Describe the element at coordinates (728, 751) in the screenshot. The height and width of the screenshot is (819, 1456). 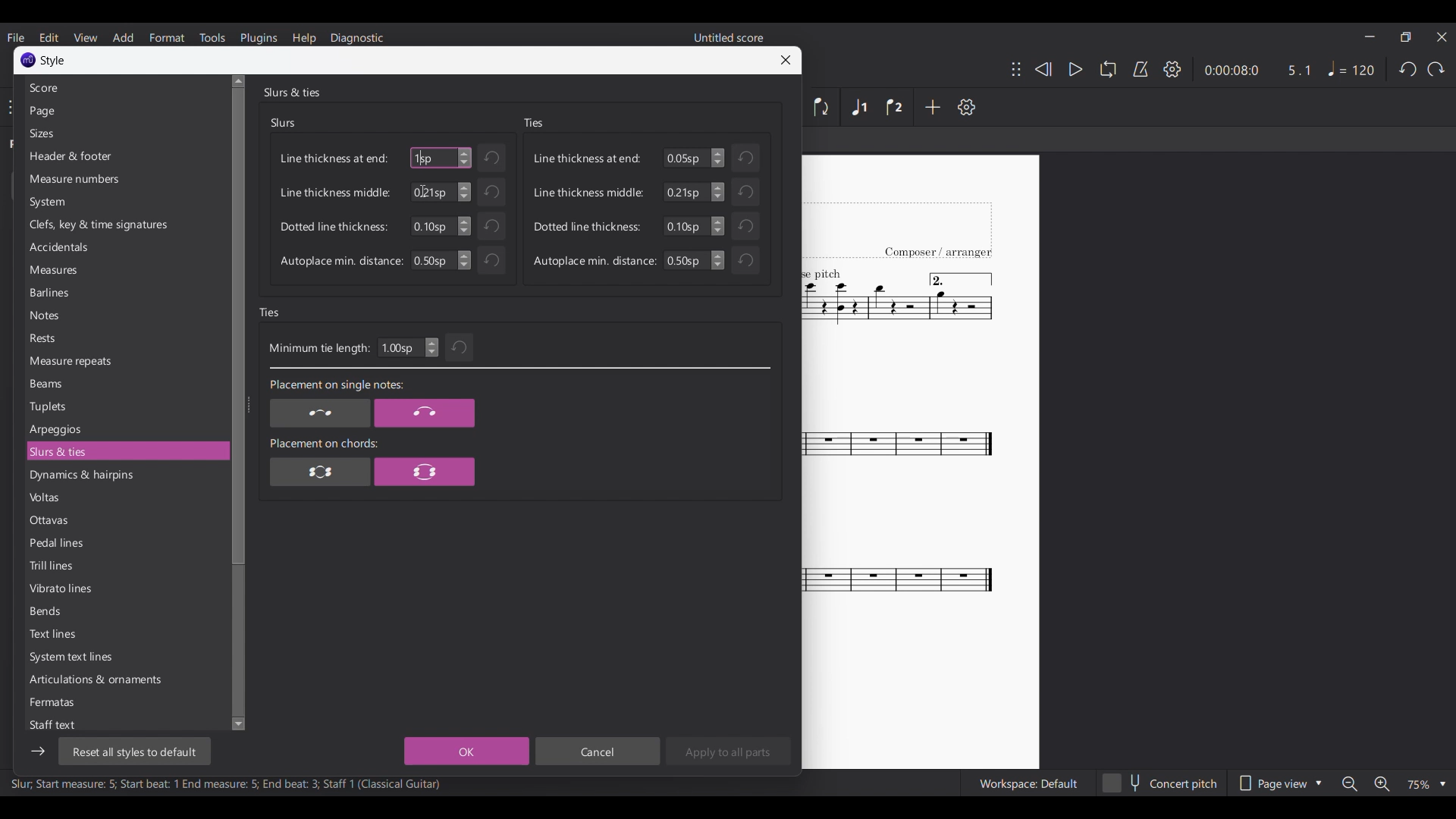
I see `Apply to all parts` at that location.